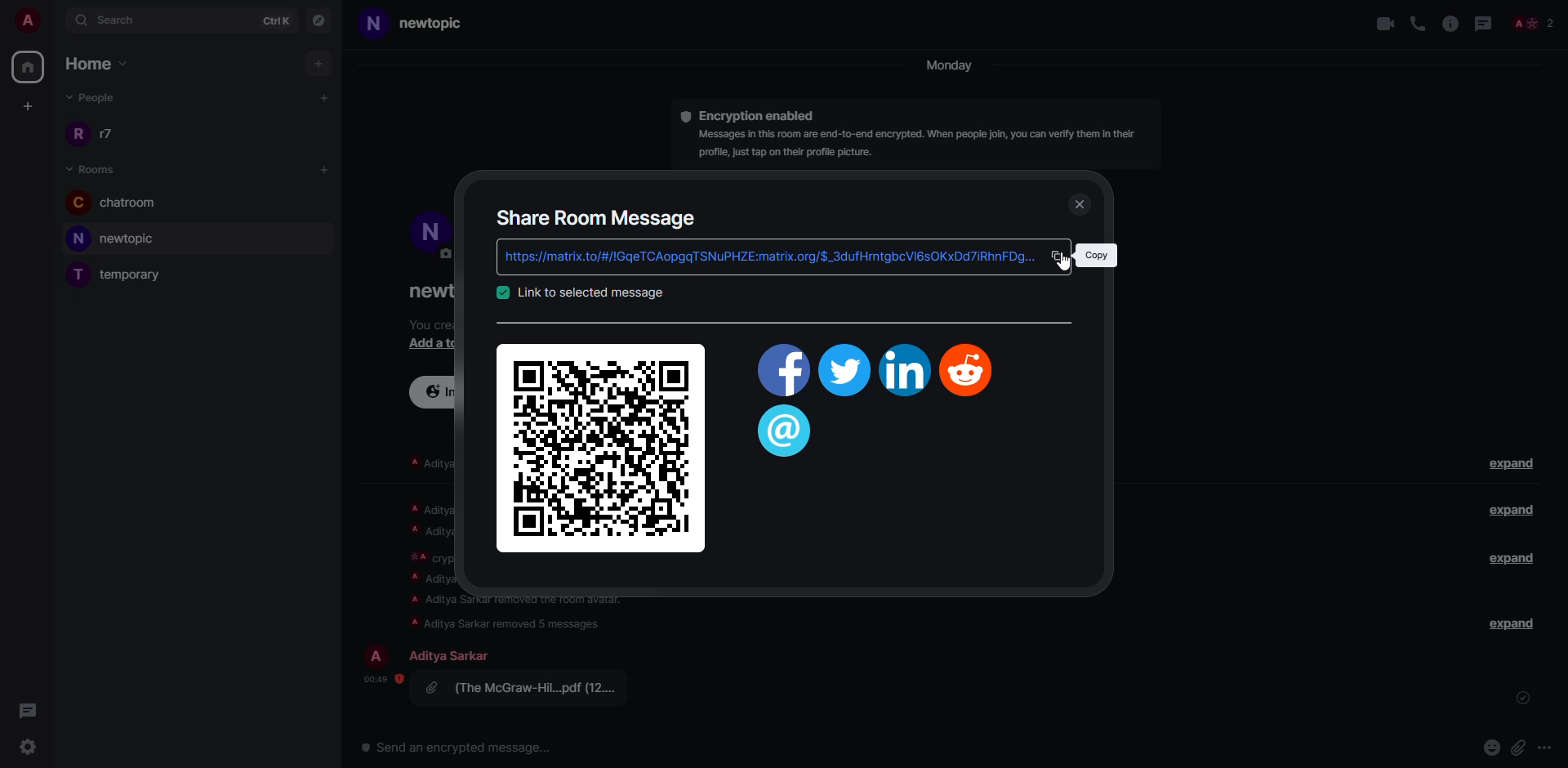 The image size is (1568, 768). What do you see at coordinates (326, 96) in the screenshot?
I see `add` at bounding box center [326, 96].